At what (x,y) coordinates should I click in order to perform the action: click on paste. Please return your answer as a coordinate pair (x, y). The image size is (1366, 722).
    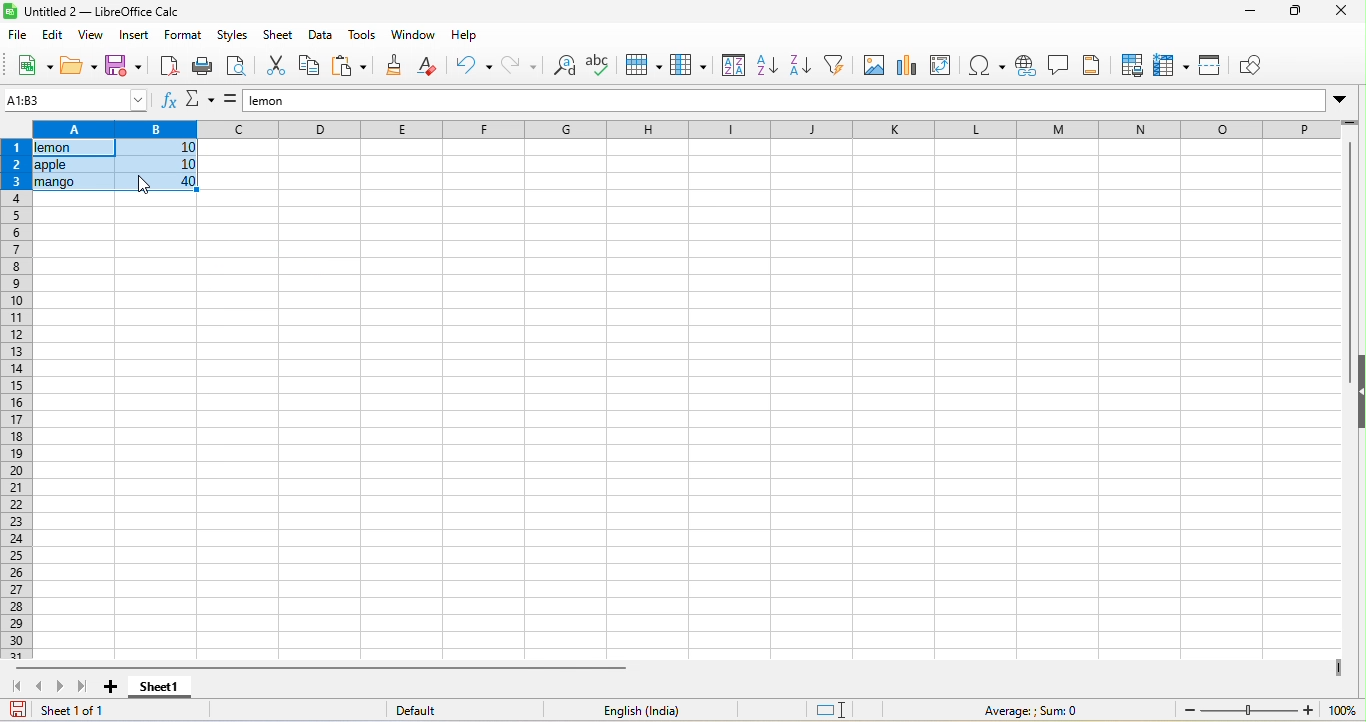
    Looking at the image, I should click on (350, 68).